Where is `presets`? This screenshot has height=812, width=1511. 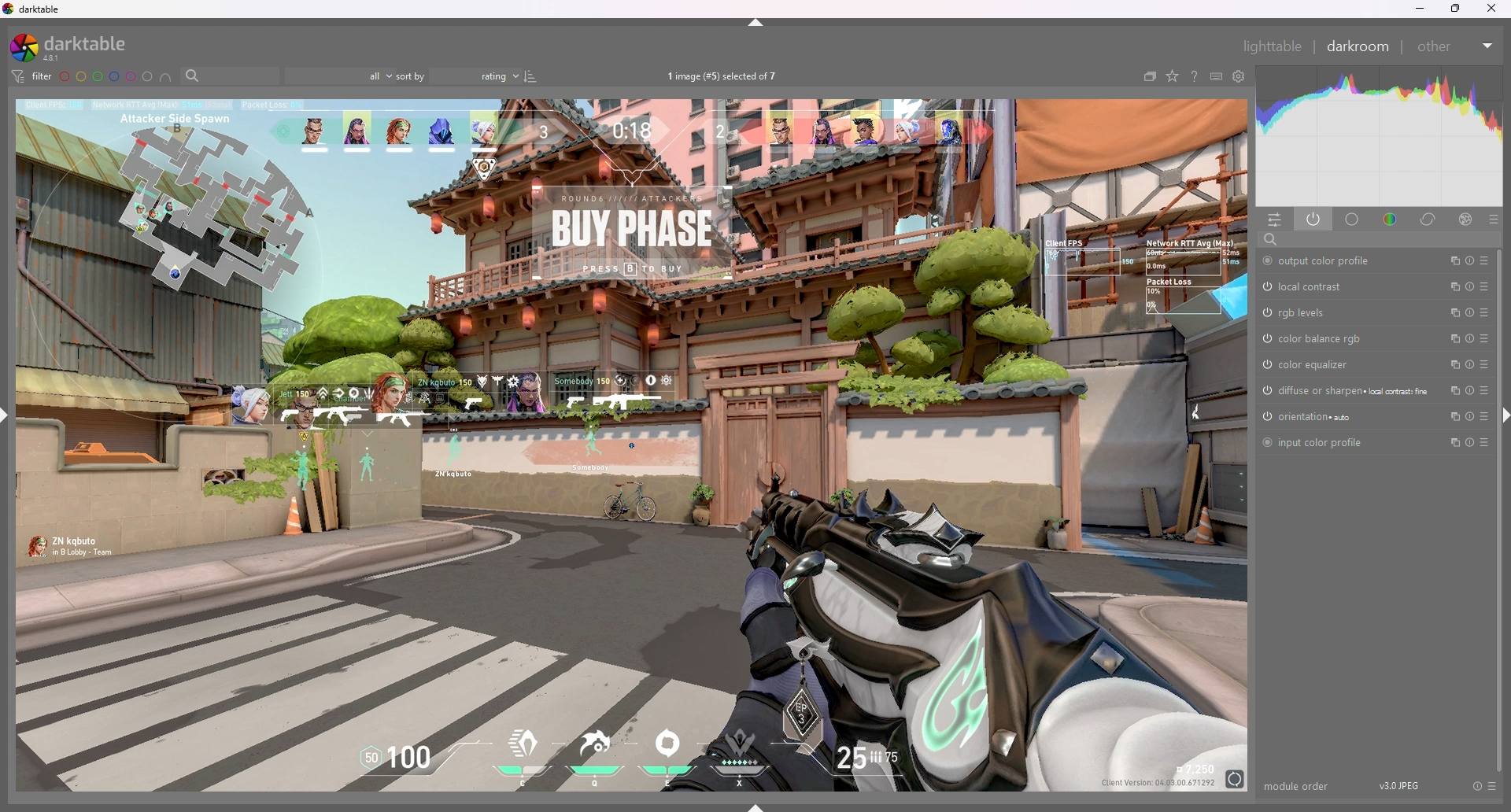 presets is located at coordinates (1484, 416).